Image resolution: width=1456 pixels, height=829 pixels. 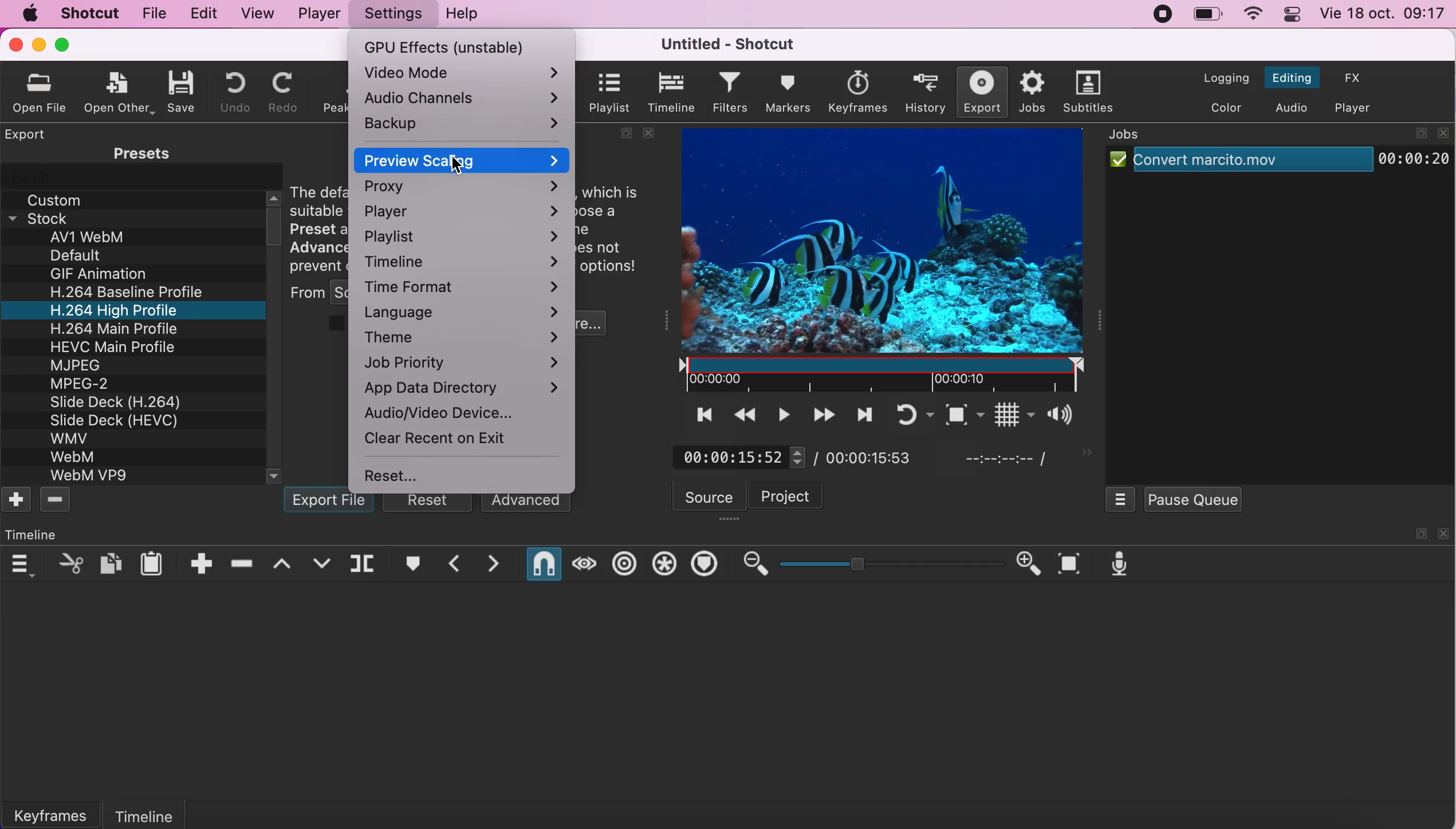 What do you see at coordinates (102, 238) in the screenshot?
I see `av1 webm` at bounding box center [102, 238].